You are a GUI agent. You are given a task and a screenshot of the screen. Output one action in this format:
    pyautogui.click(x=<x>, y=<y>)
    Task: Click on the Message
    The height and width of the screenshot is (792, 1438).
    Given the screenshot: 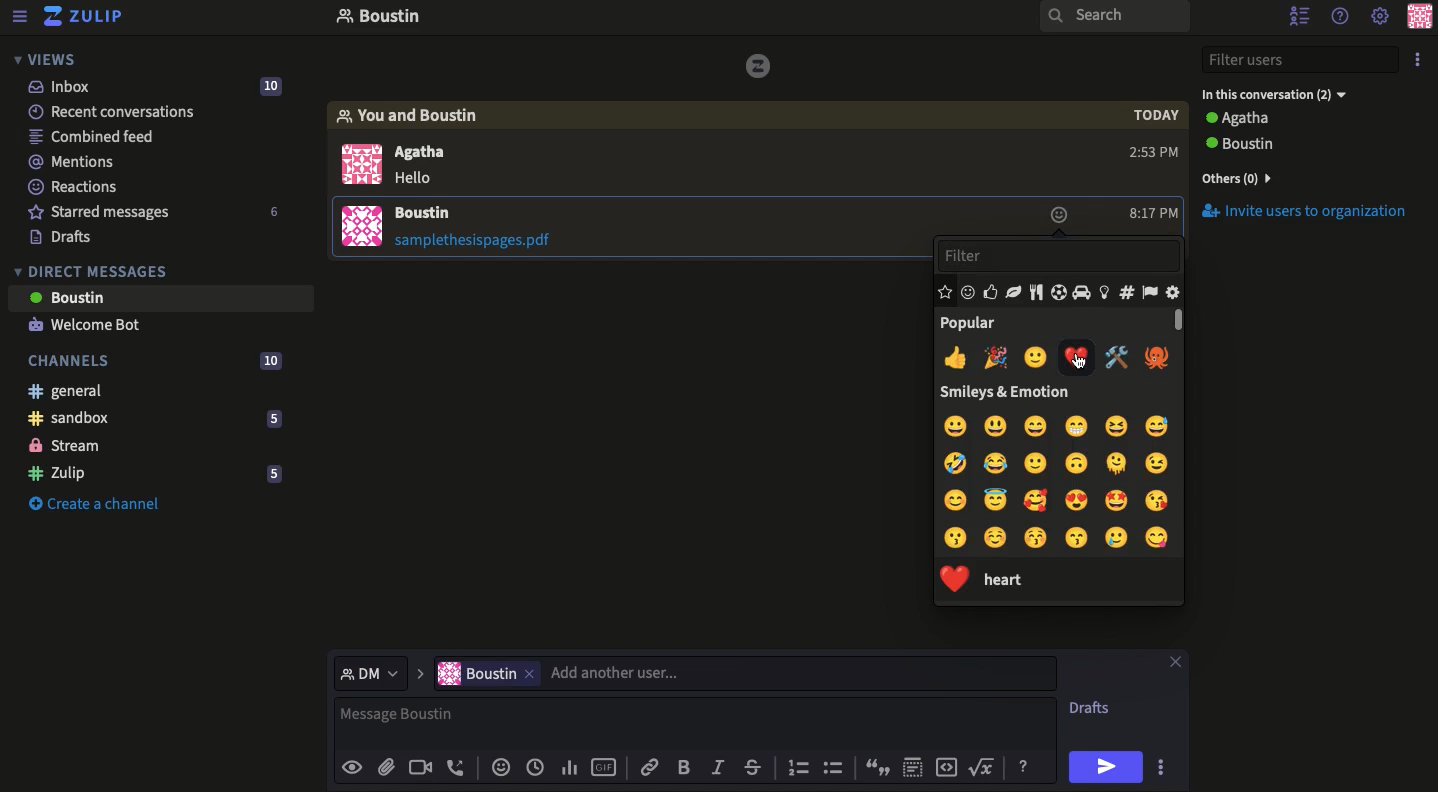 What is the action you would take?
    pyautogui.click(x=695, y=721)
    